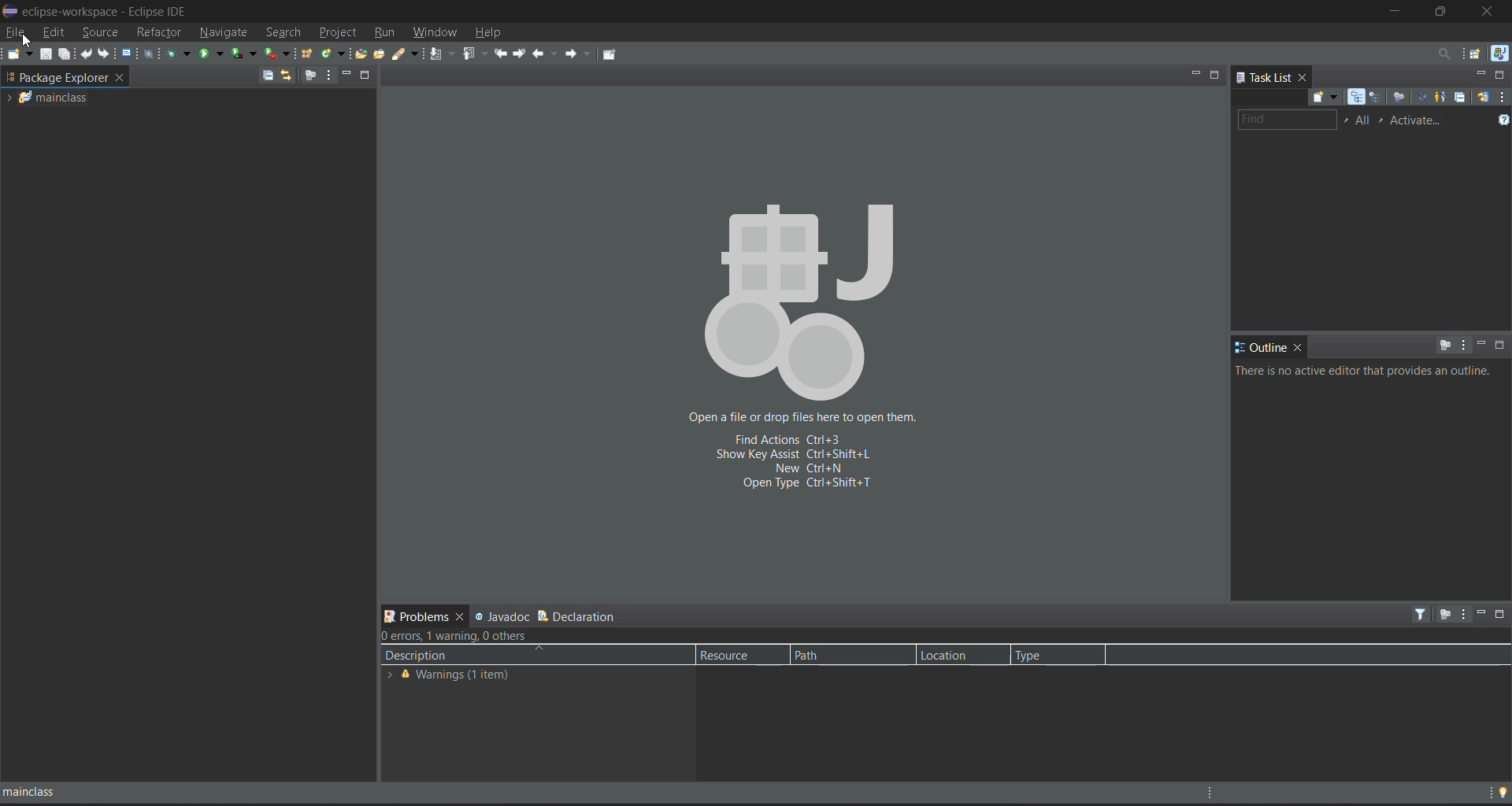  Describe the element at coordinates (1482, 99) in the screenshot. I see `synchronize changed` at that location.